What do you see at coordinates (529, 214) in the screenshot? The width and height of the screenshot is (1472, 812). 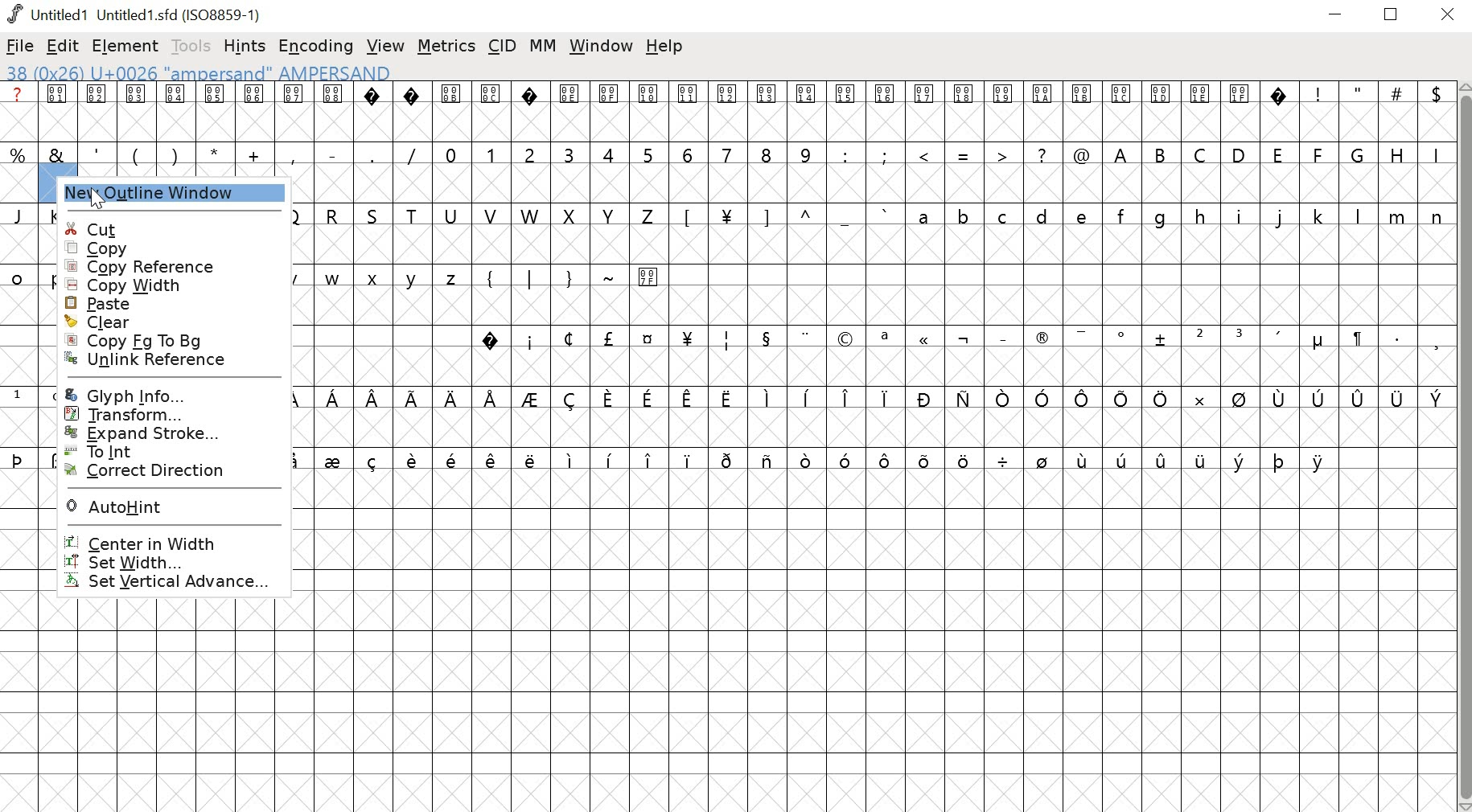 I see `W` at bounding box center [529, 214].